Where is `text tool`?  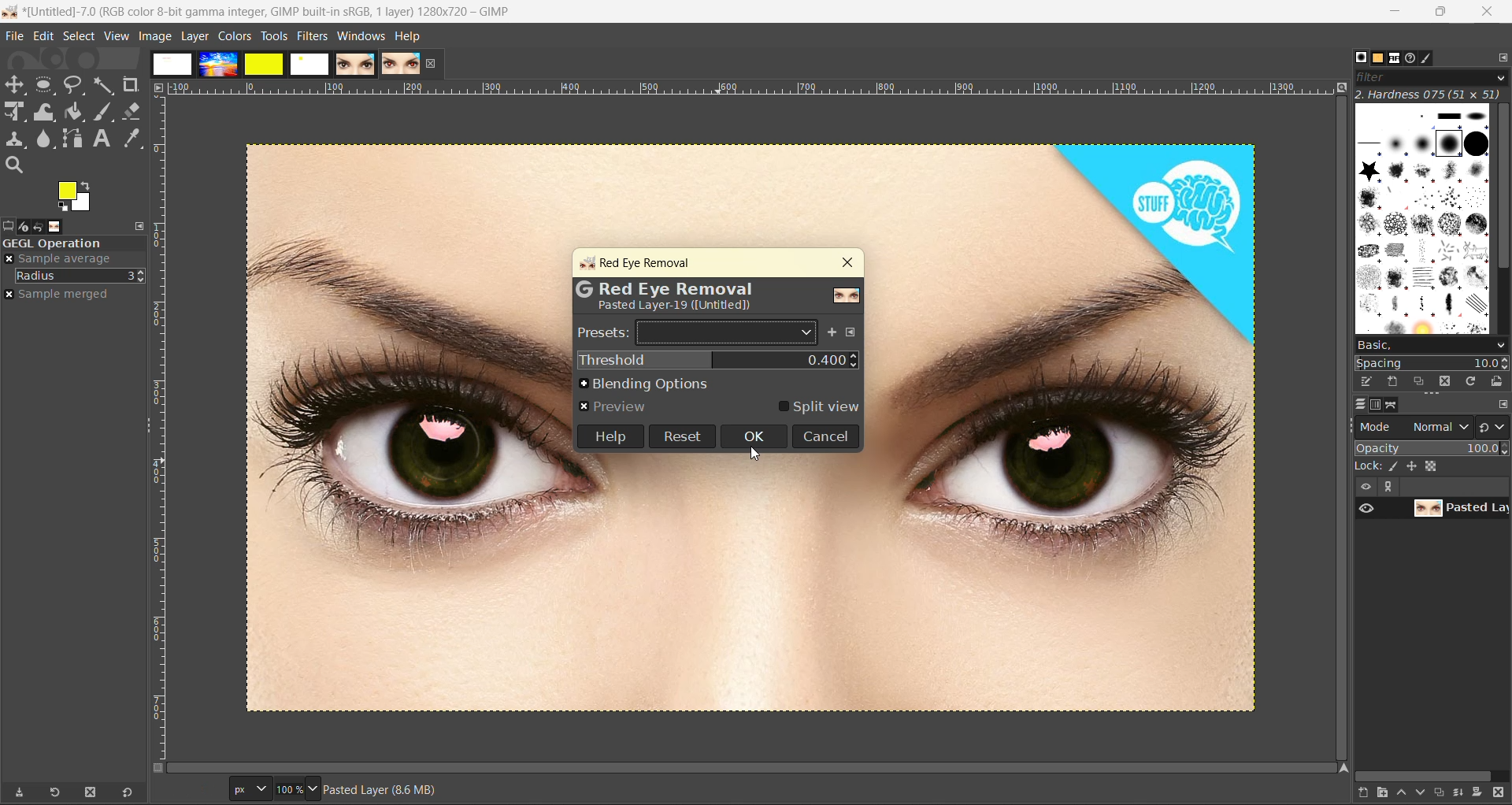 text tool is located at coordinates (102, 139).